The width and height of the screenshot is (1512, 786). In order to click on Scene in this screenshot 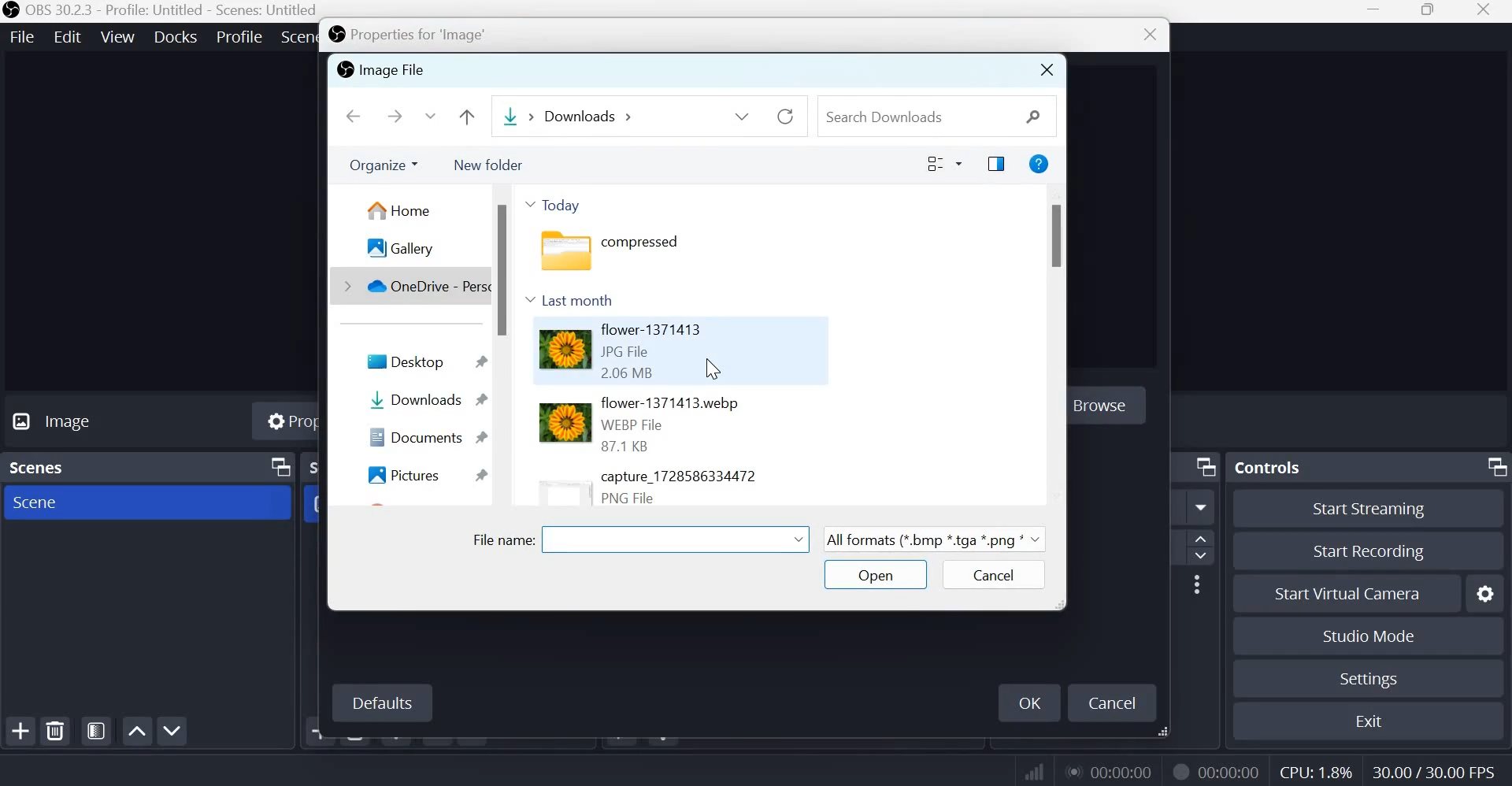, I will do `click(46, 504)`.